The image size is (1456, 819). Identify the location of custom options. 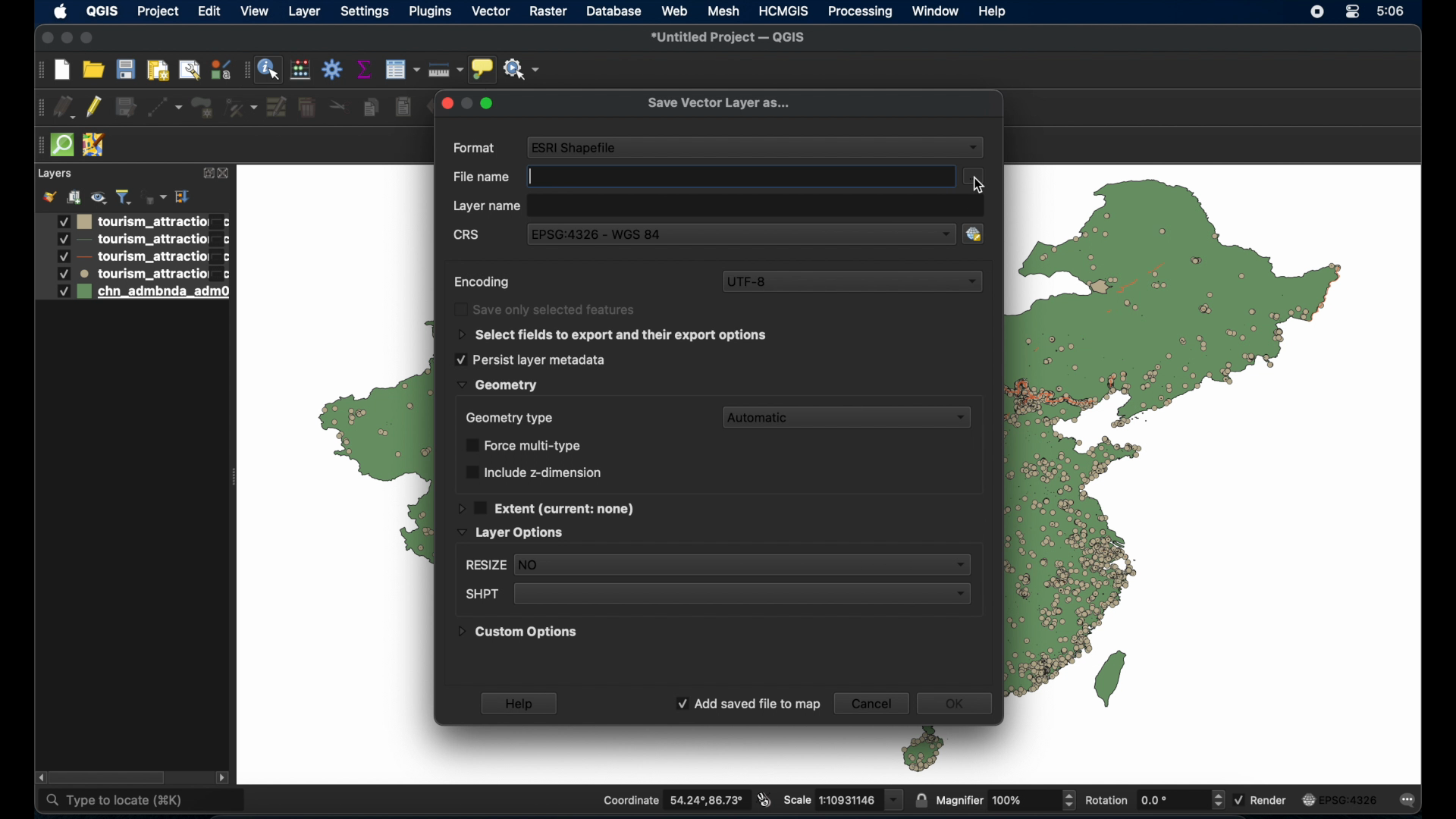
(519, 635).